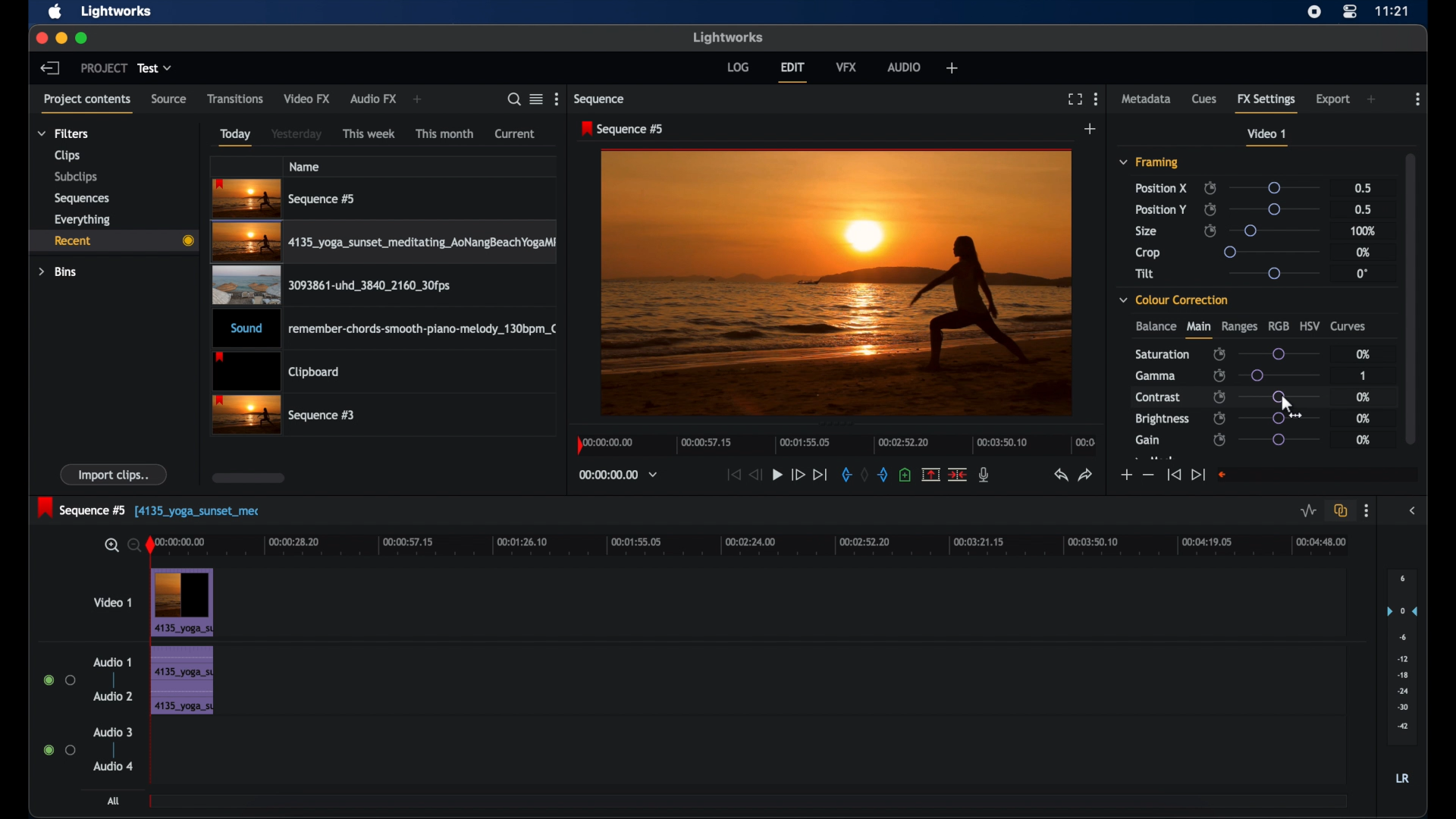  I want to click on moreoptions, so click(1097, 98).